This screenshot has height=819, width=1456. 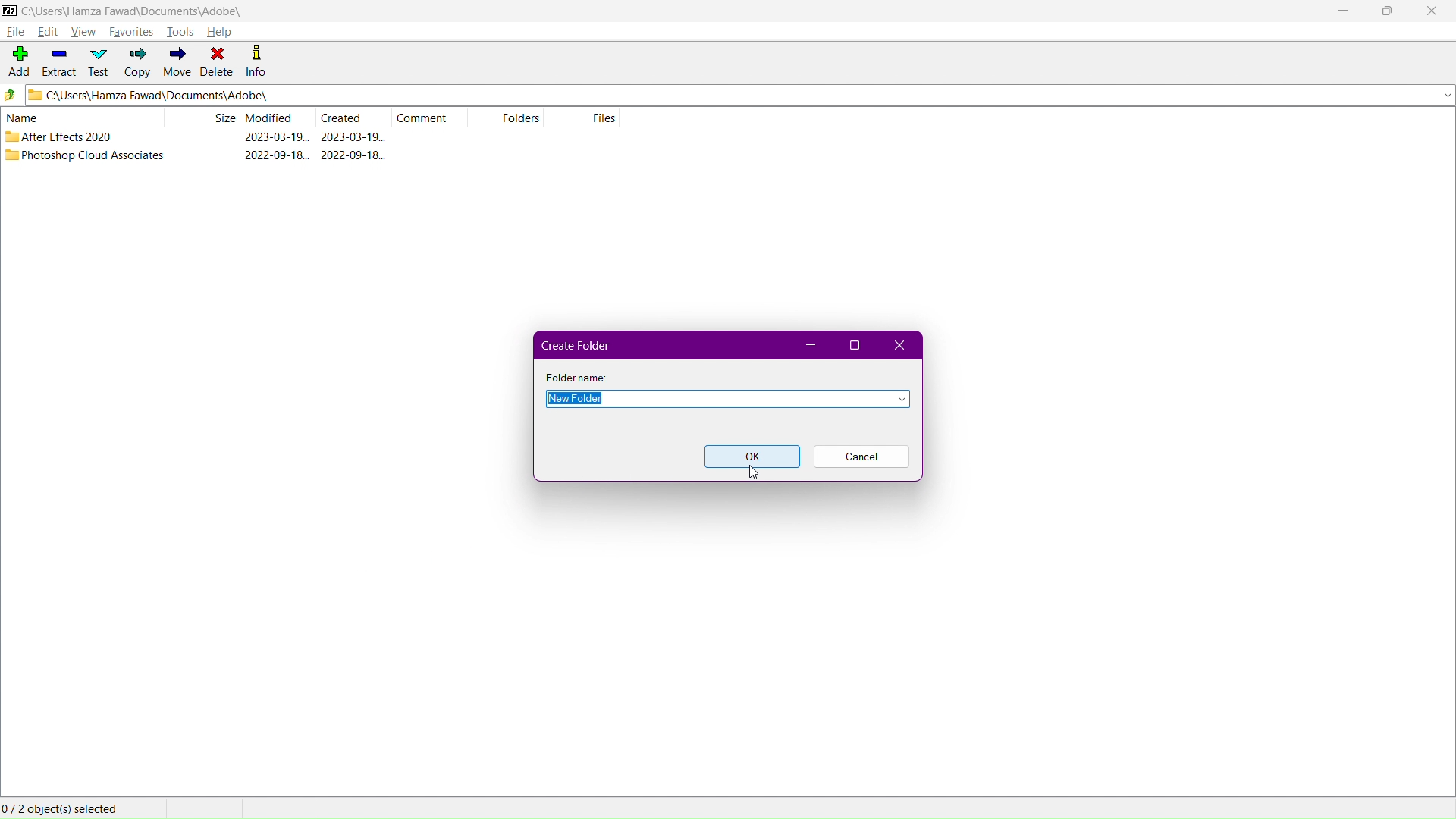 What do you see at coordinates (135, 63) in the screenshot?
I see `Copy` at bounding box center [135, 63].